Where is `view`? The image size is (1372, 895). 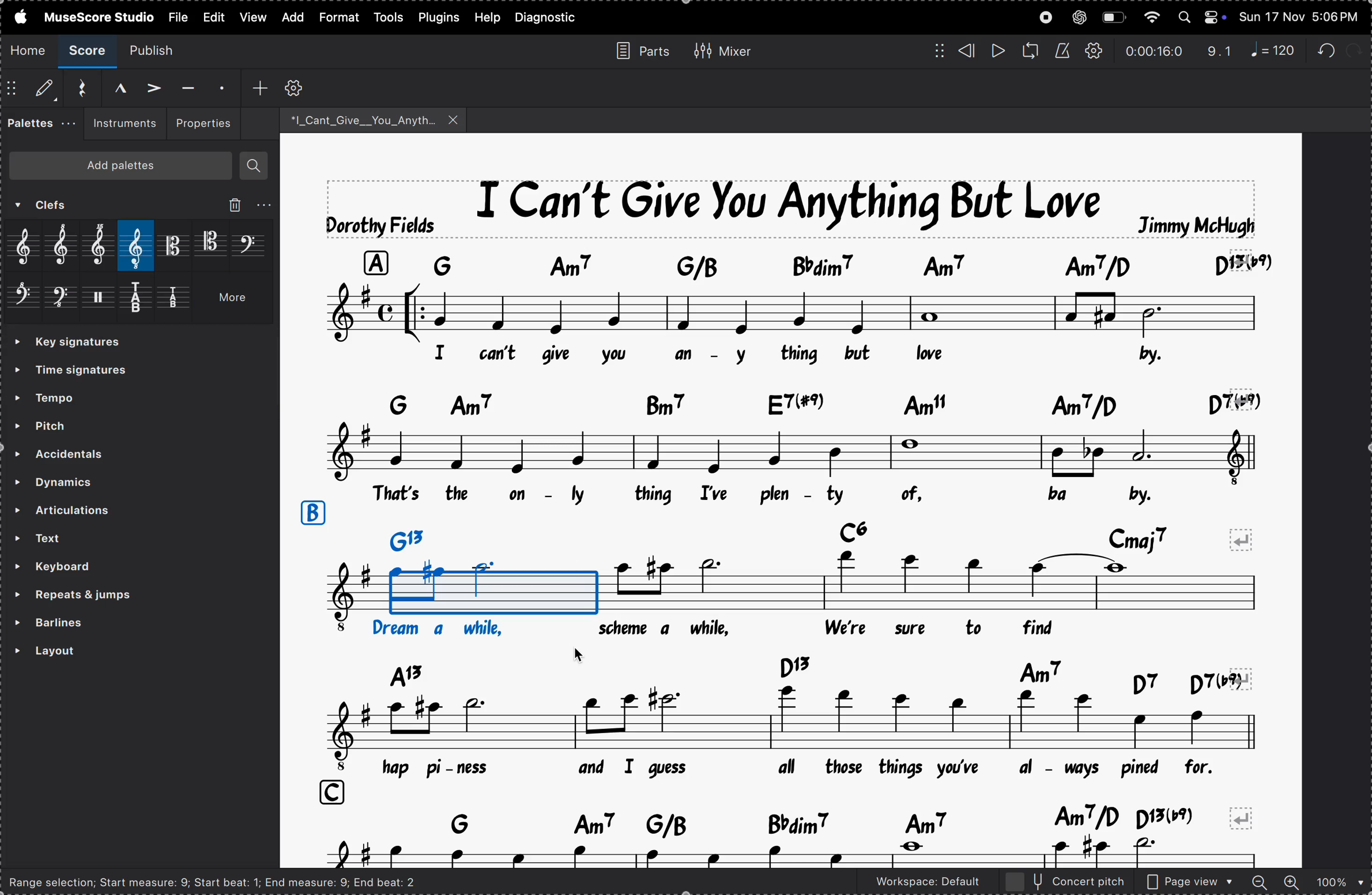
view is located at coordinates (251, 17).